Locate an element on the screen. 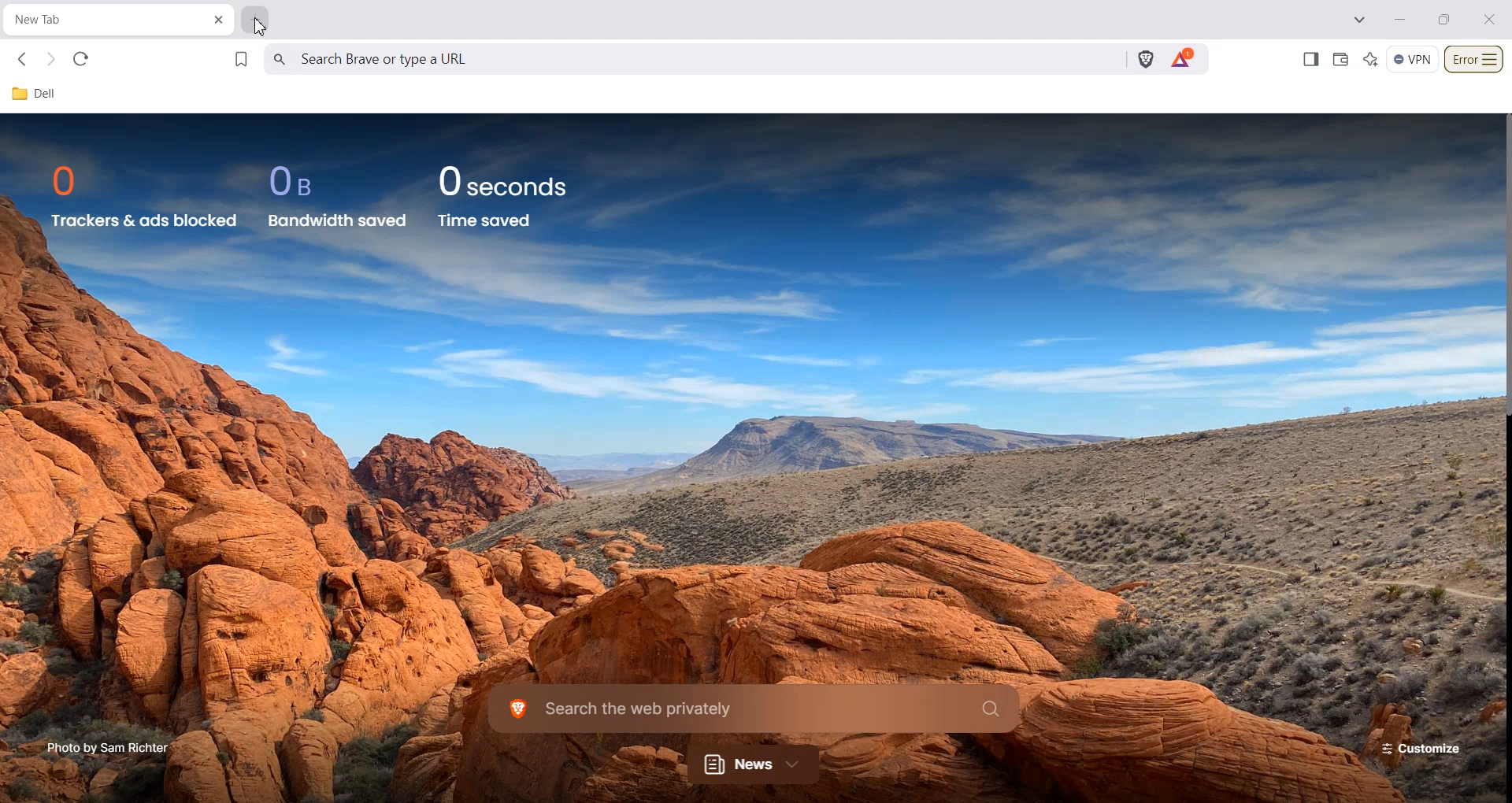  Forward is located at coordinates (50, 60).